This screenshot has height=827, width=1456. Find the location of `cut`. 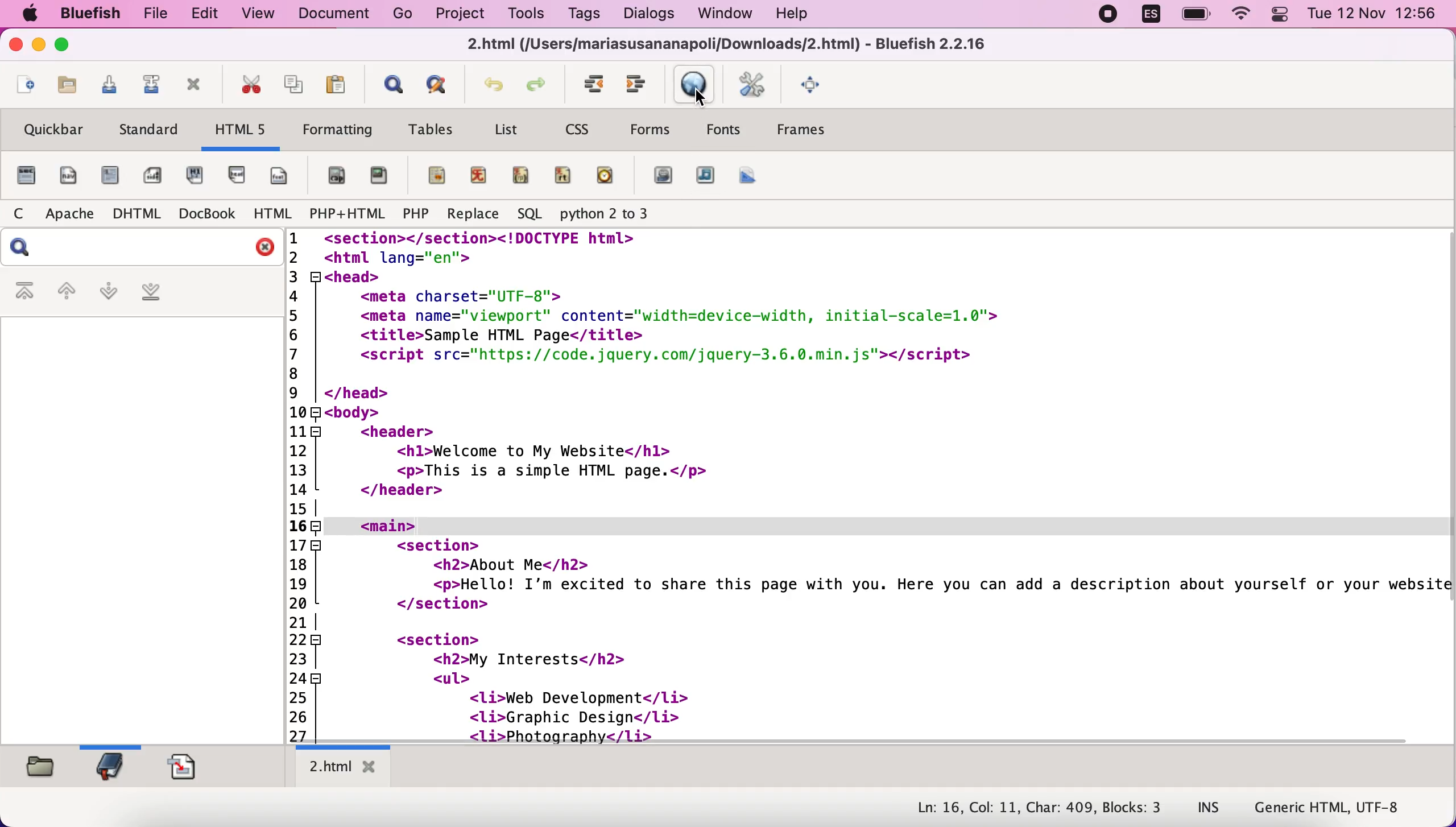

cut is located at coordinates (253, 85).